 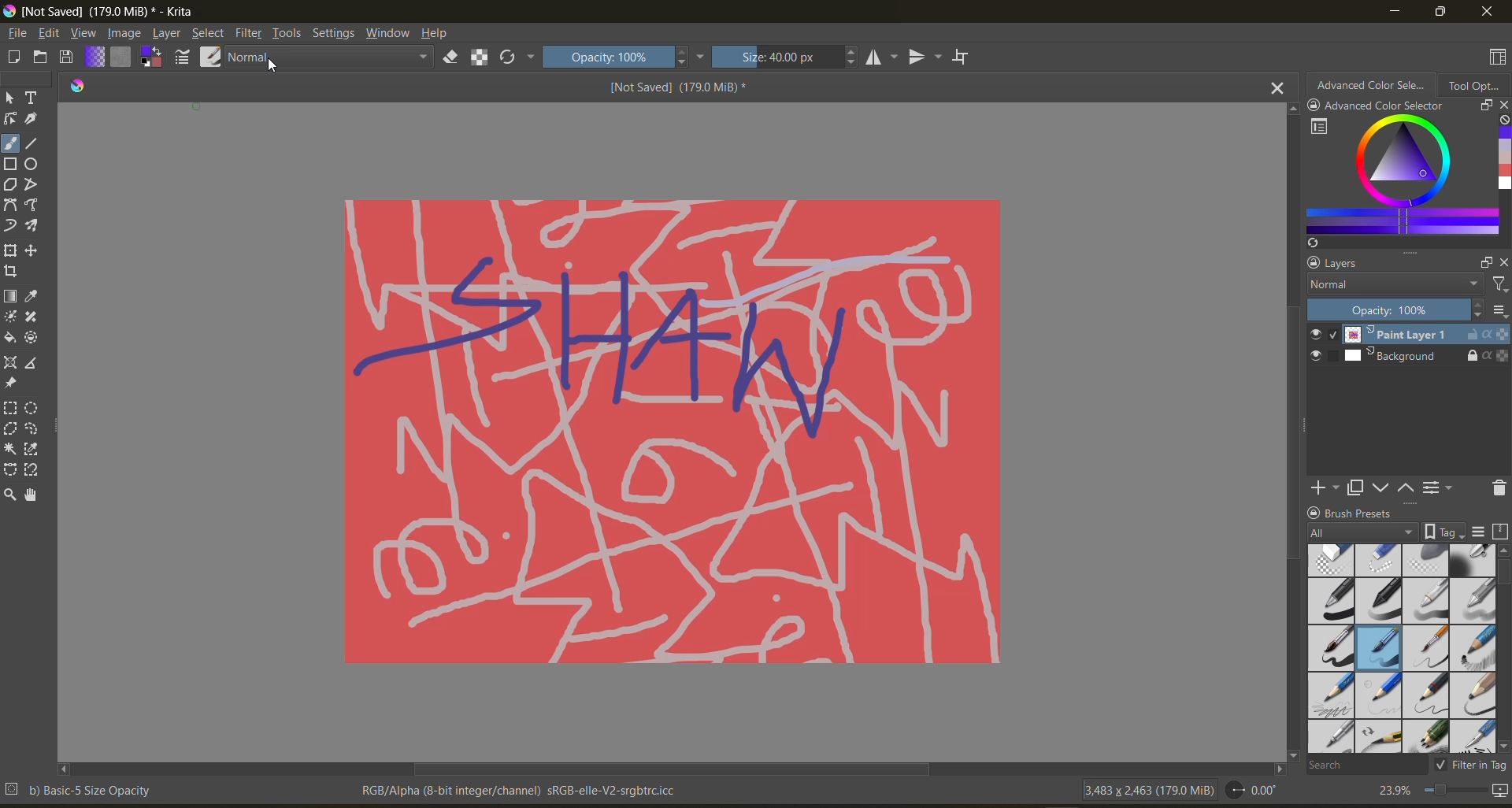 I want to click on Elliptical selection tool, so click(x=35, y=408).